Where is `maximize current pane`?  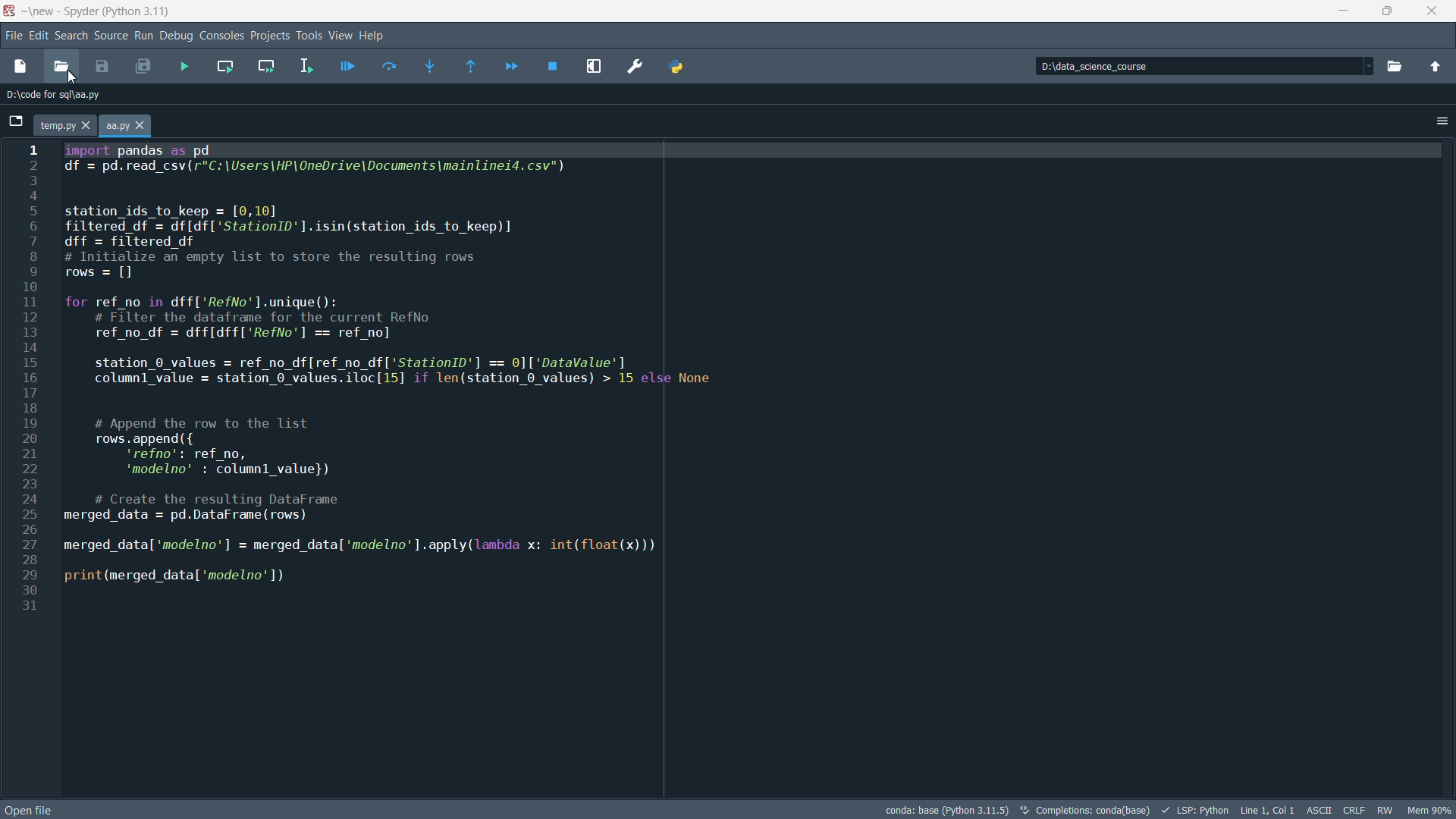
maximize current pane is located at coordinates (592, 67).